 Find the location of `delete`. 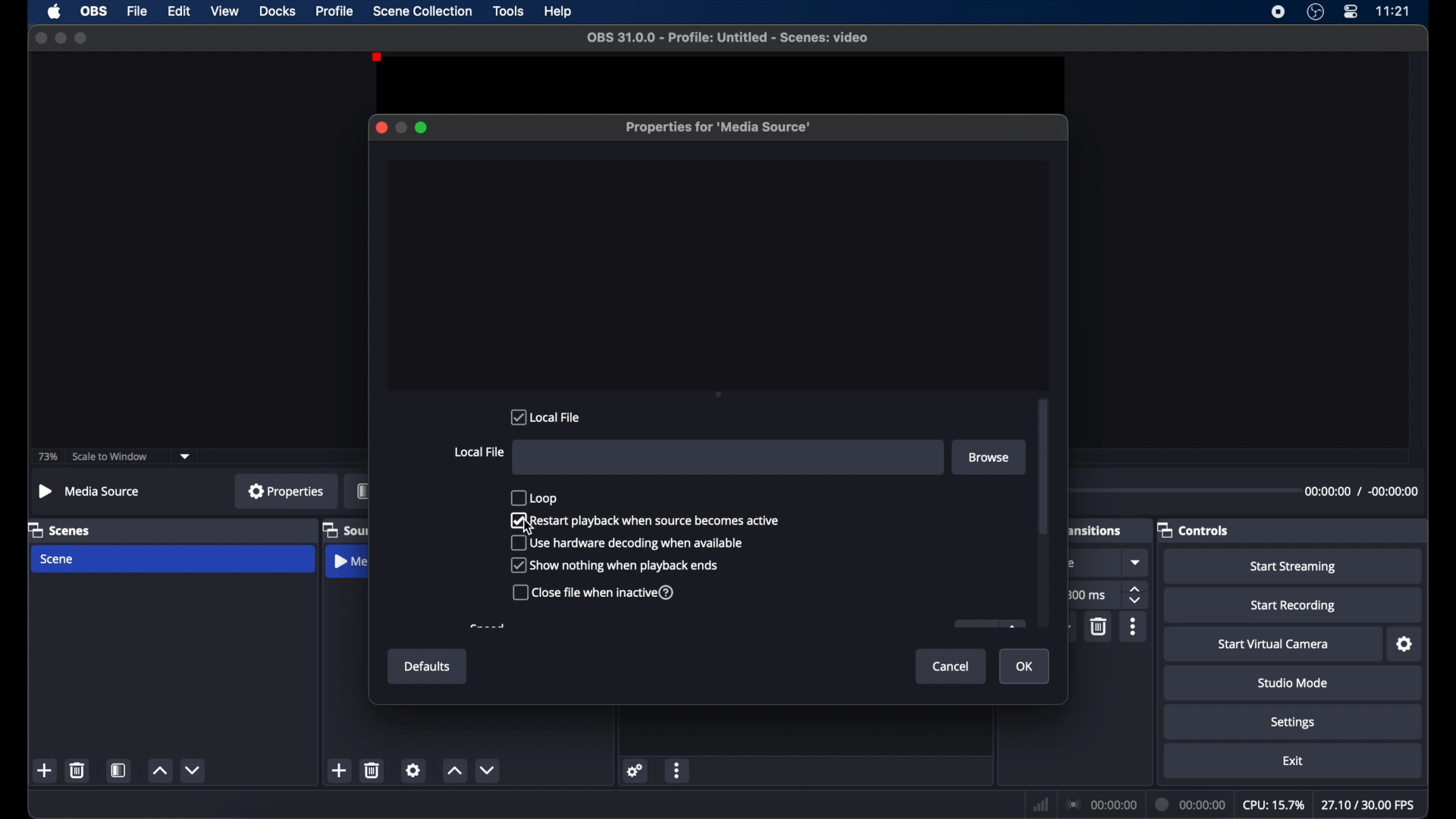

delete is located at coordinates (78, 770).